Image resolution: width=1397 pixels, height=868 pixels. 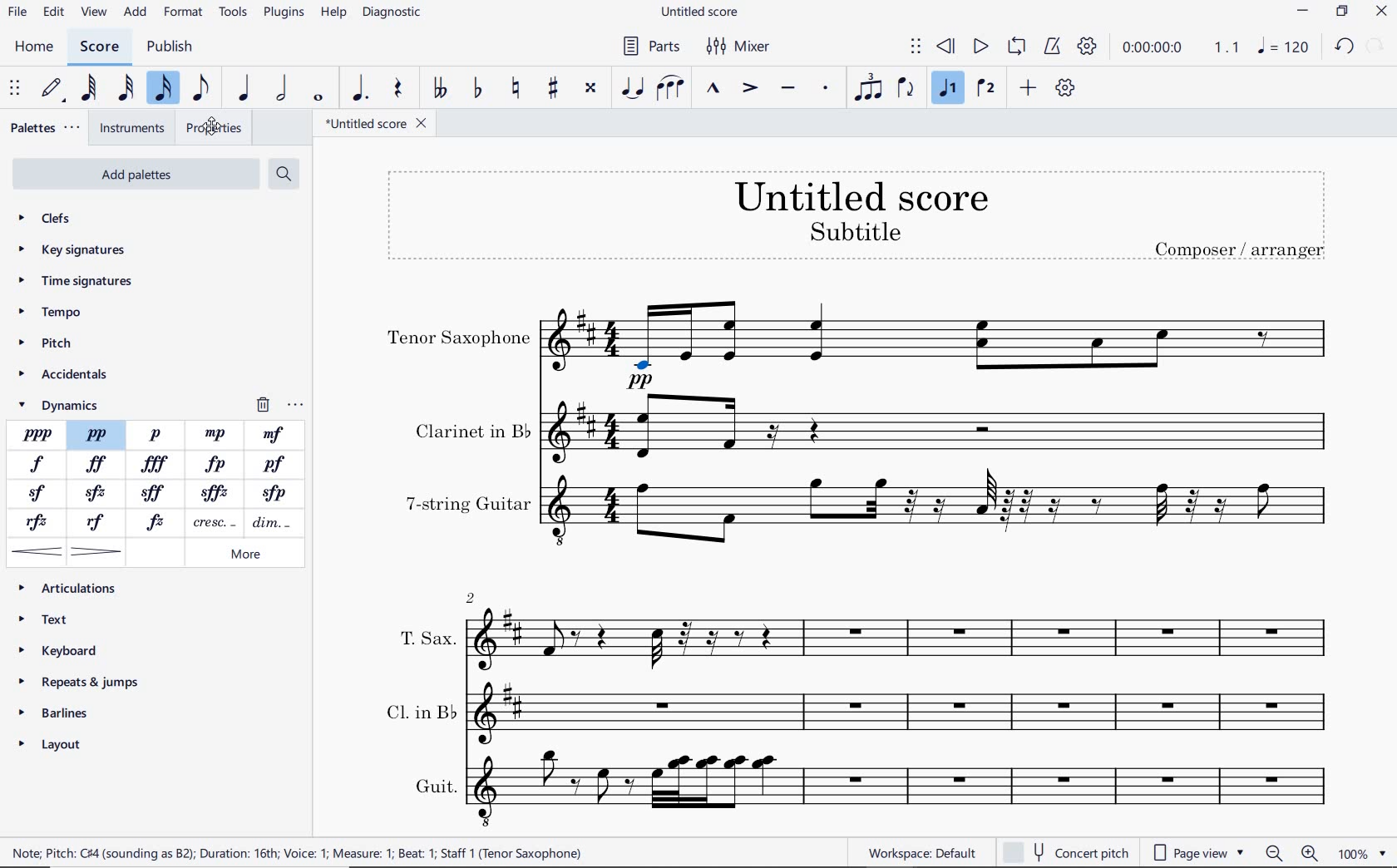 What do you see at coordinates (942, 345) in the screenshot?
I see `Tenor Saxophone` at bounding box center [942, 345].